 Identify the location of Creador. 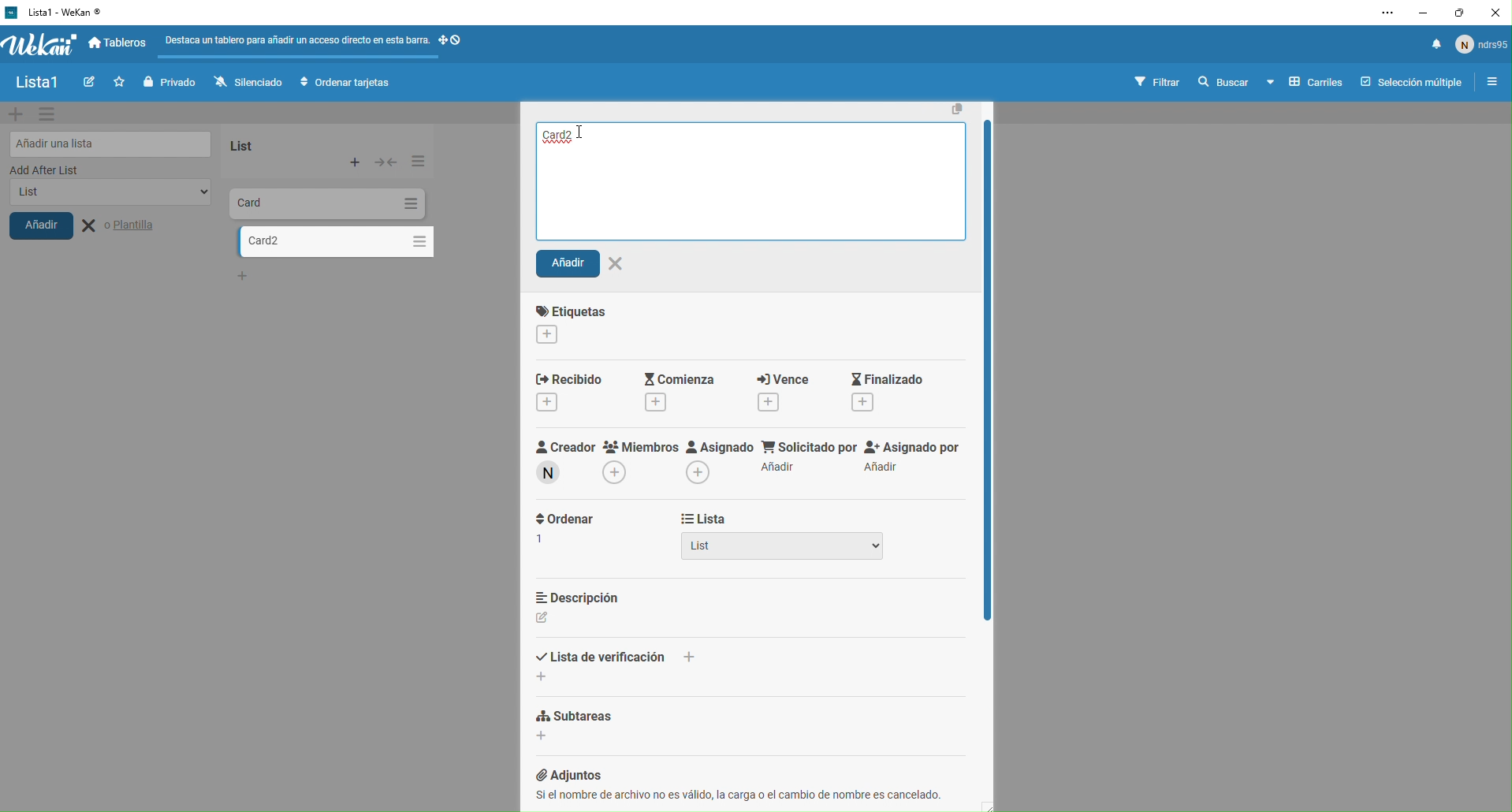
(557, 453).